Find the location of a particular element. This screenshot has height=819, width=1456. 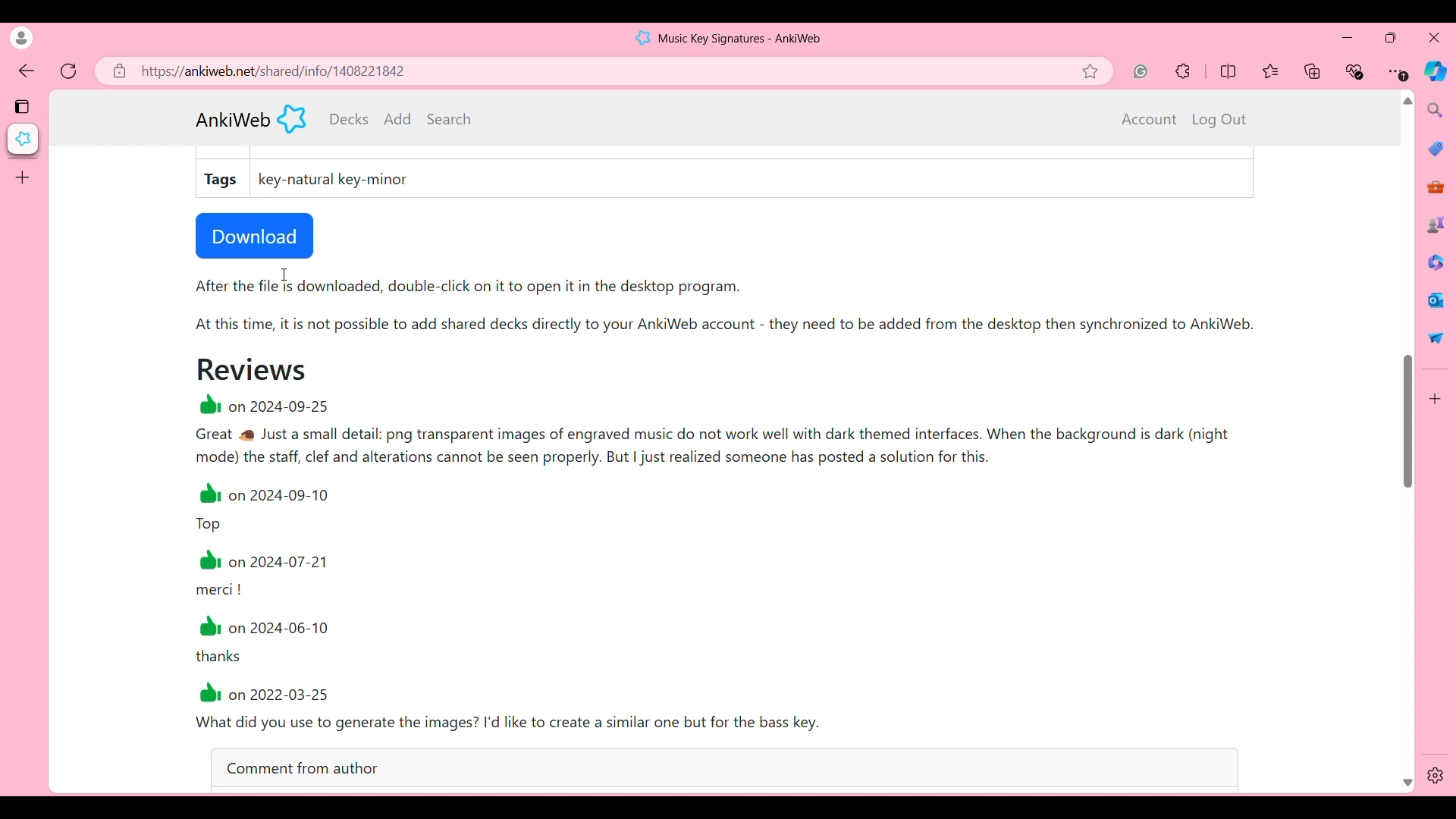

Current tab is located at coordinates (24, 139).